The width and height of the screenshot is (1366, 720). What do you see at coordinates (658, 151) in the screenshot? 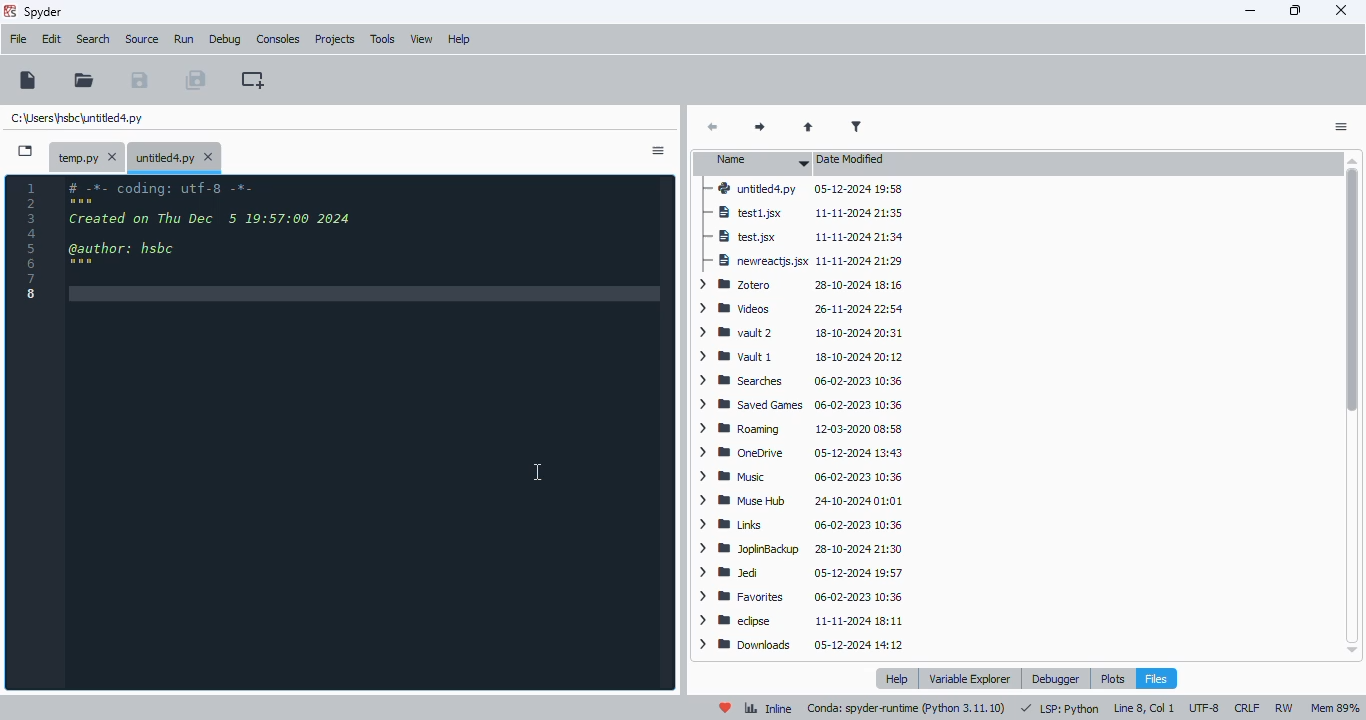
I see `options` at bounding box center [658, 151].